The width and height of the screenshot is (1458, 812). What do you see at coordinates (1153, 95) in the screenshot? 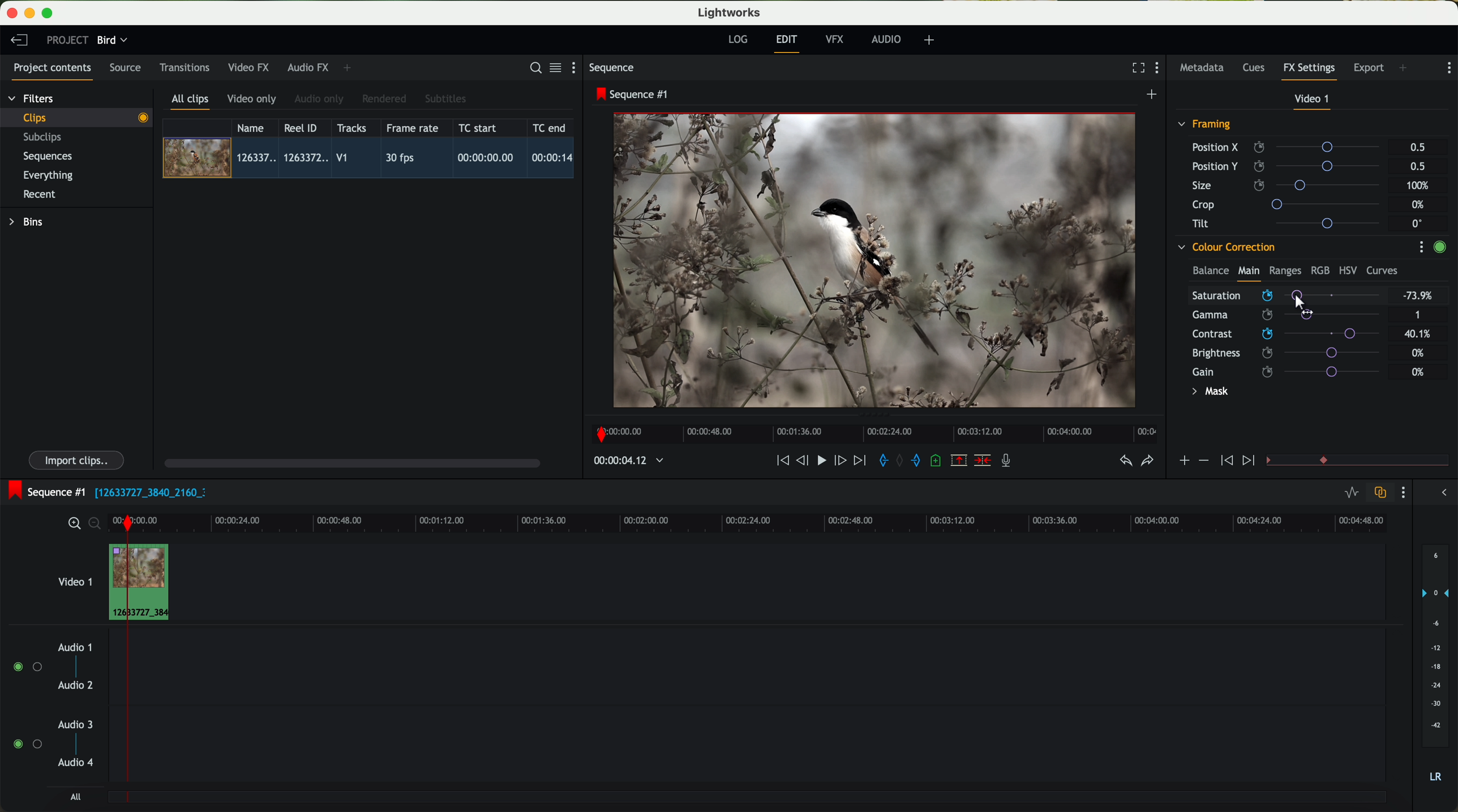
I see `create a new sequence` at bounding box center [1153, 95].